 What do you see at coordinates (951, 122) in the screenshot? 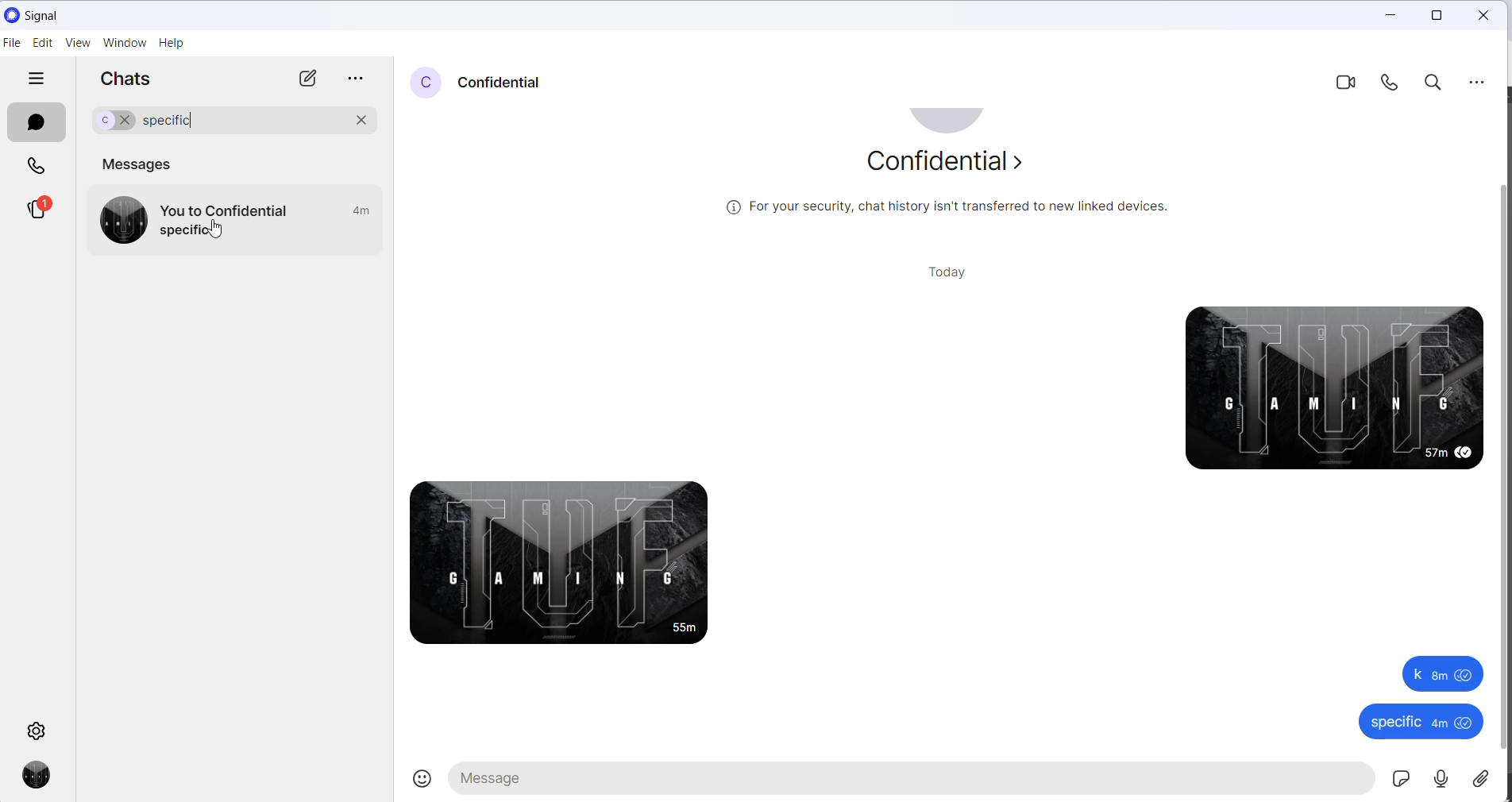
I see `profile picture` at bounding box center [951, 122].